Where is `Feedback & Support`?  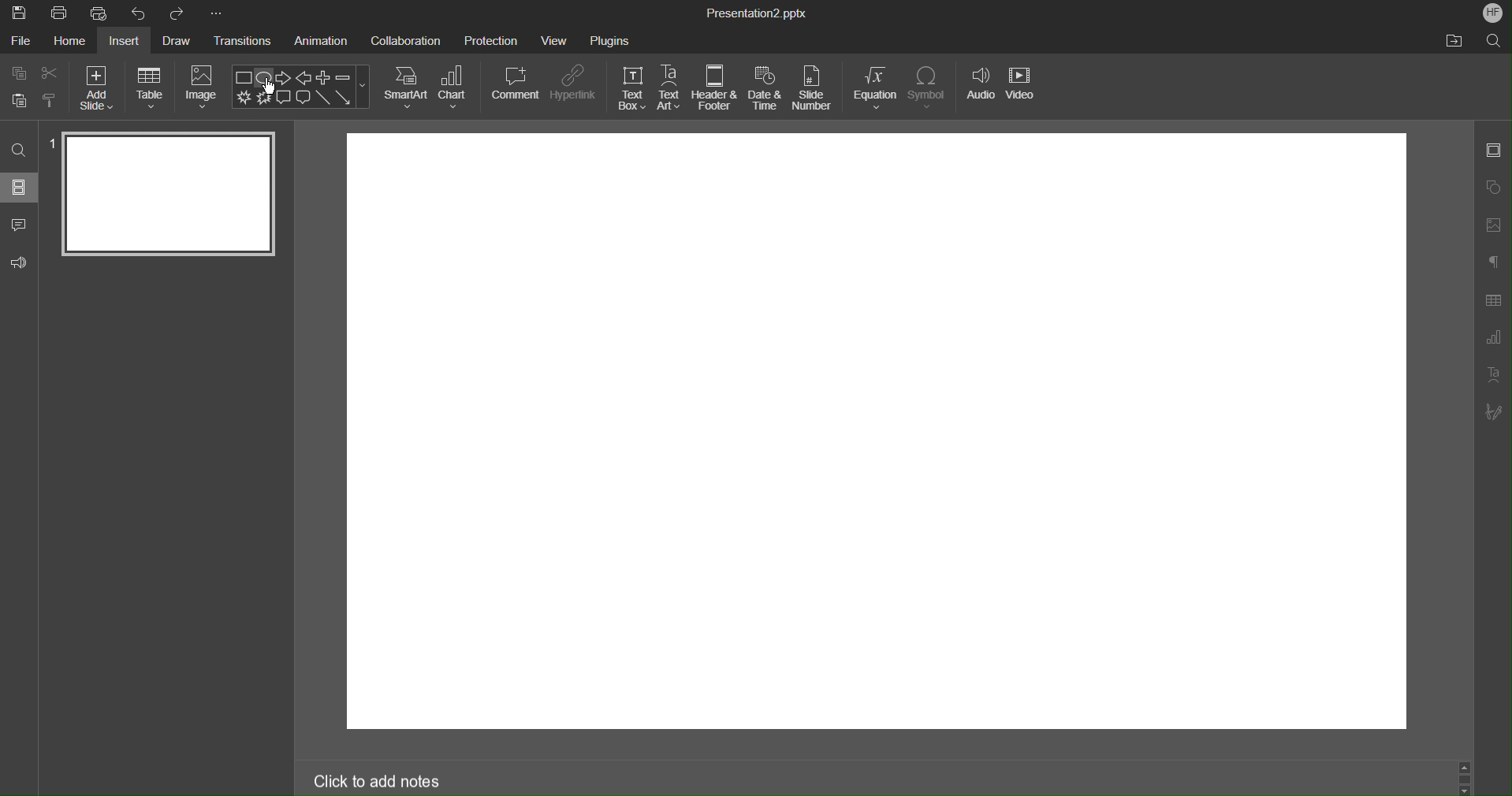
Feedback & Support is located at coordinates (20, 261).